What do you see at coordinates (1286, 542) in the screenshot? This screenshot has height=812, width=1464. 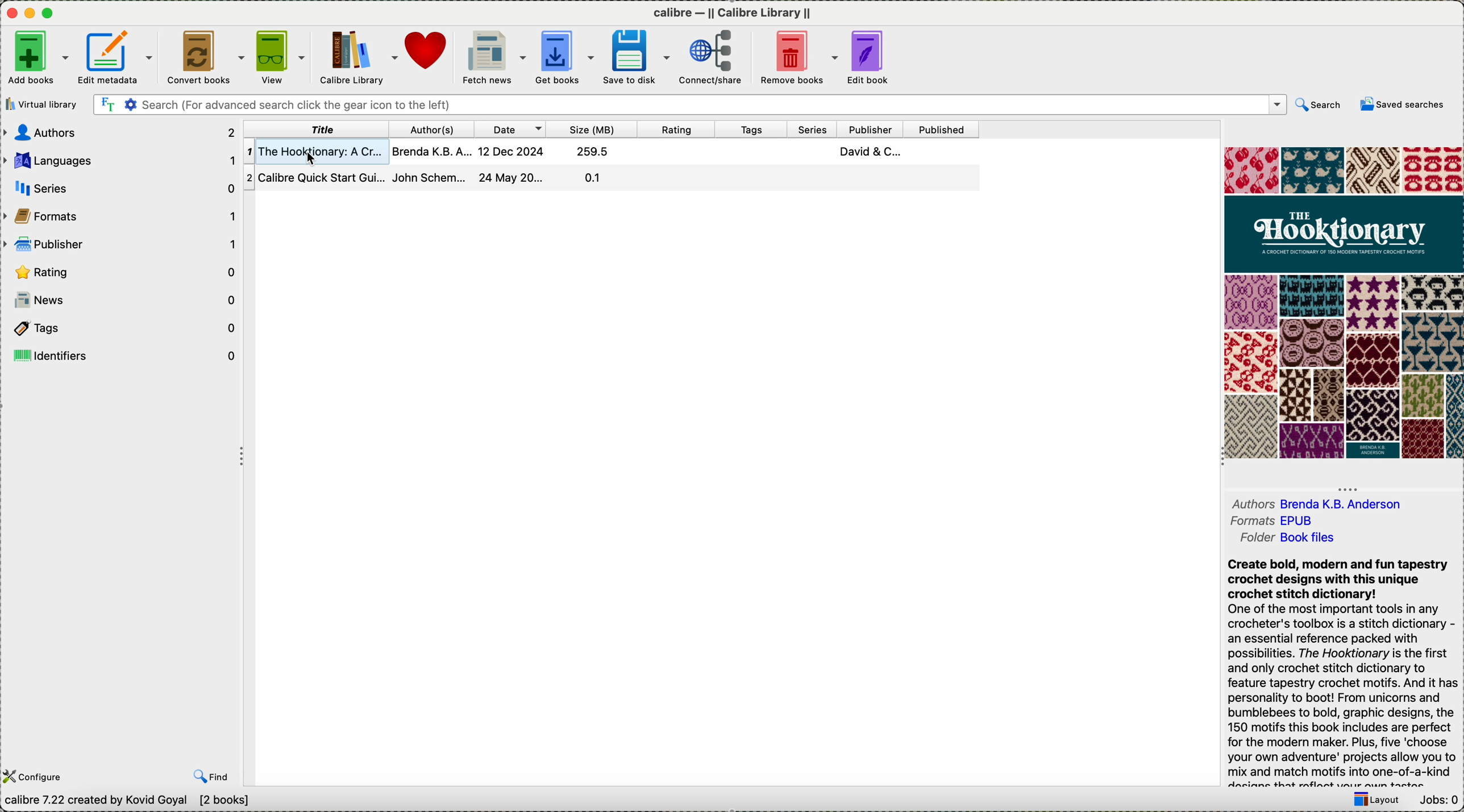 I see `folder` at bounding box center [1286, 542].